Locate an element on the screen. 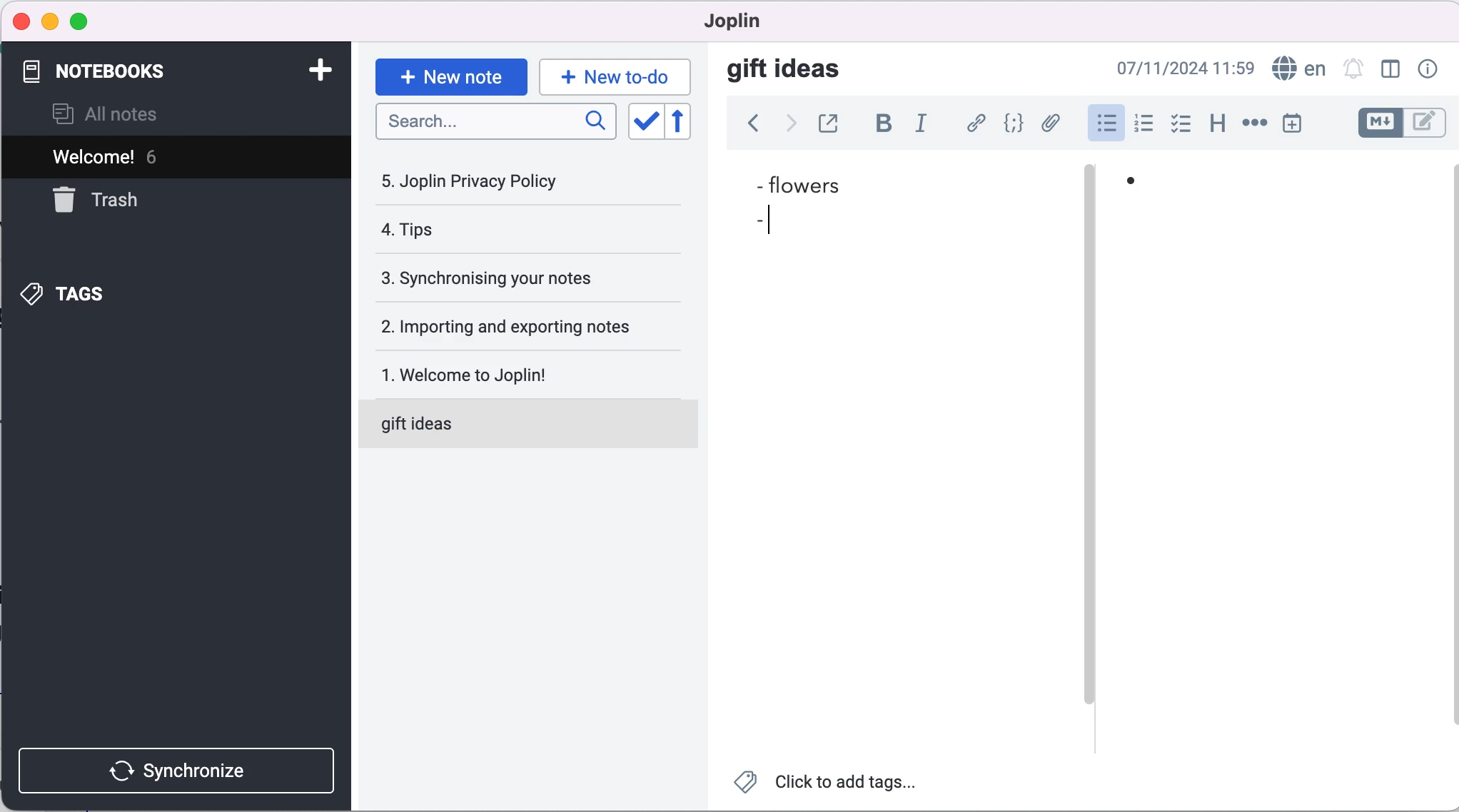 Image resolution: width=1459 pixels, height=812 pixels. bullet 1 is located at coordinates (1131, 191).